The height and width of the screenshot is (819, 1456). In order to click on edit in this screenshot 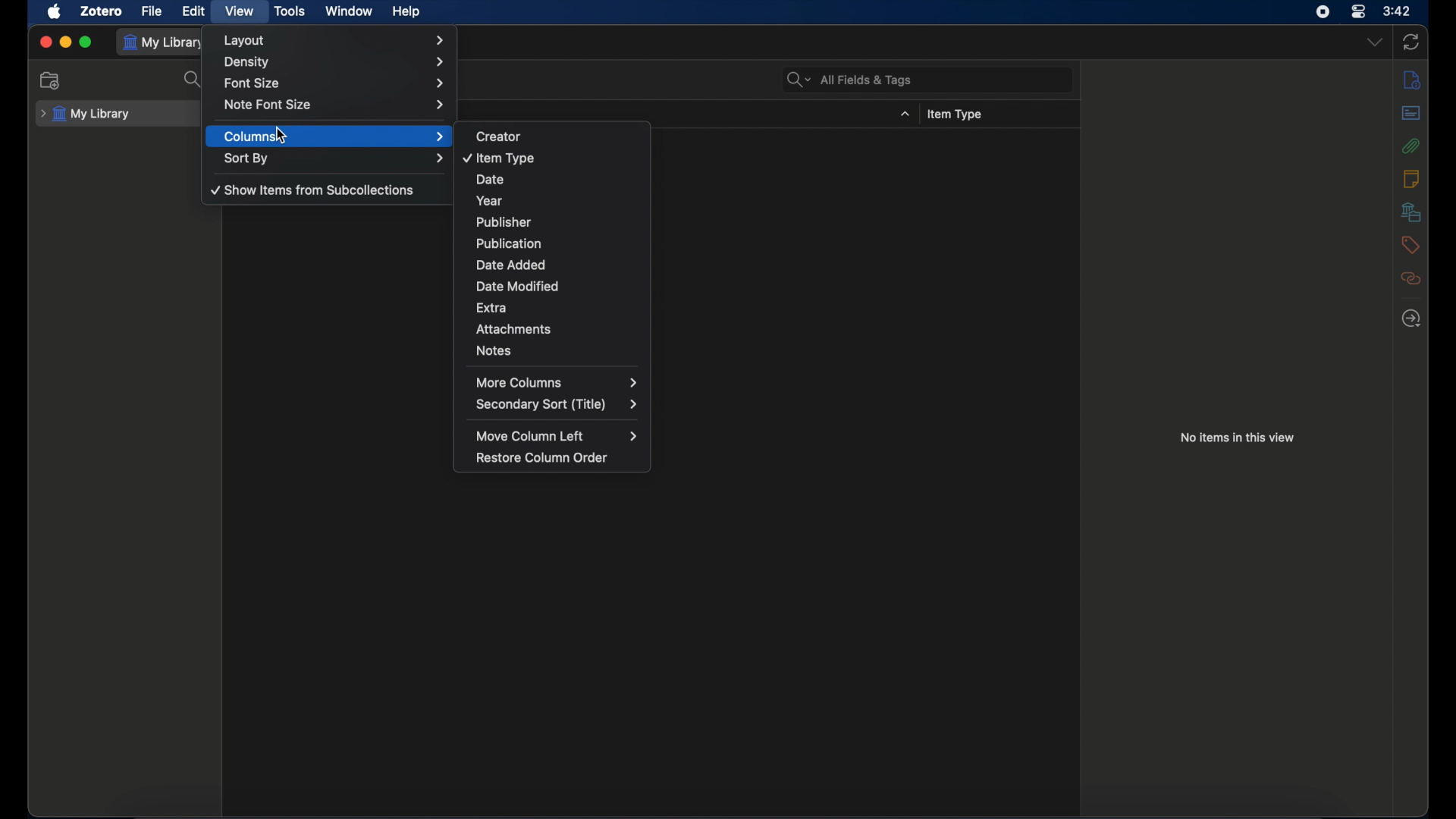, I will do `click(194, 11)`.